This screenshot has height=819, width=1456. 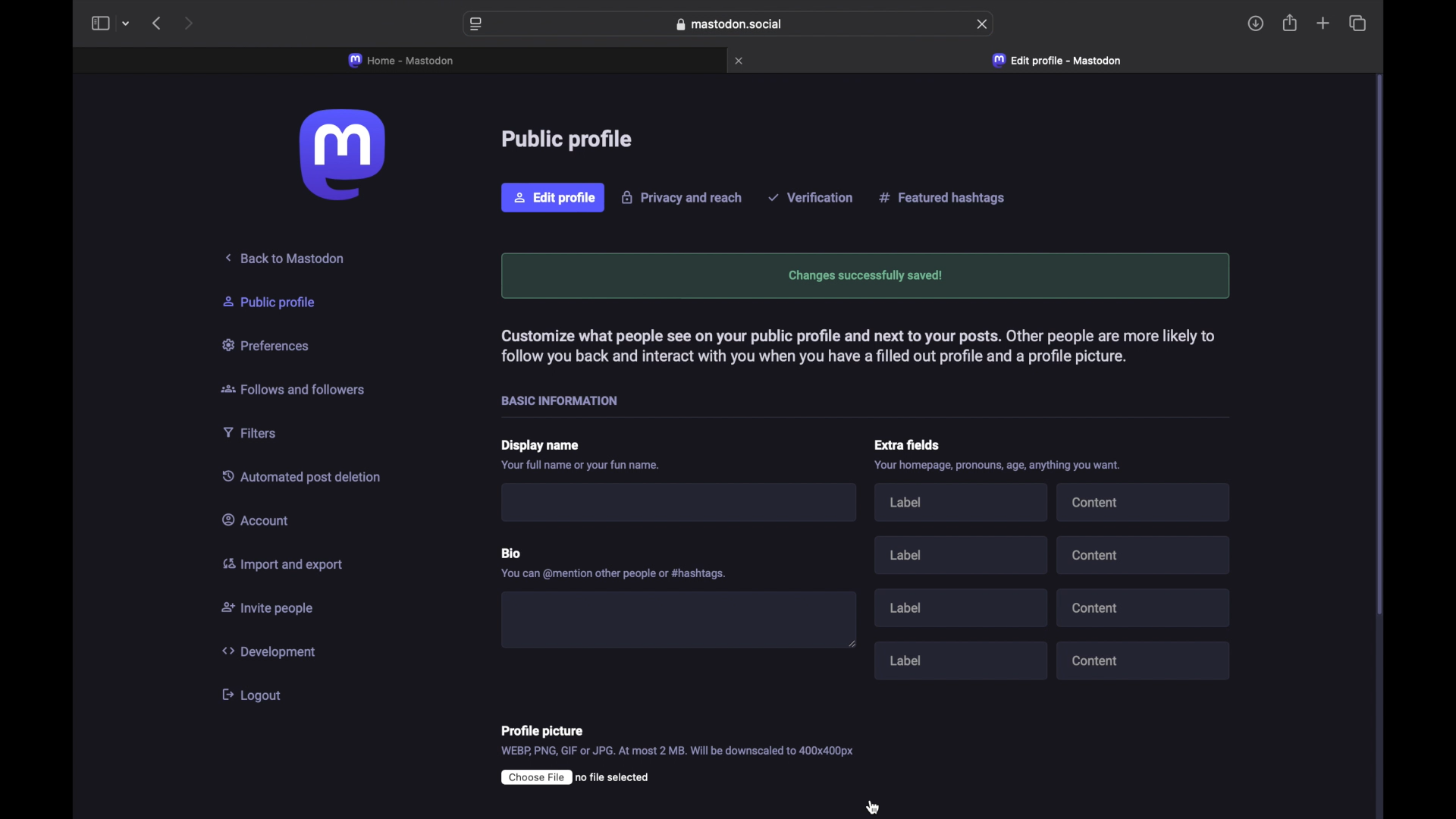 I want to click on Verification, so click(x=811, y=196).